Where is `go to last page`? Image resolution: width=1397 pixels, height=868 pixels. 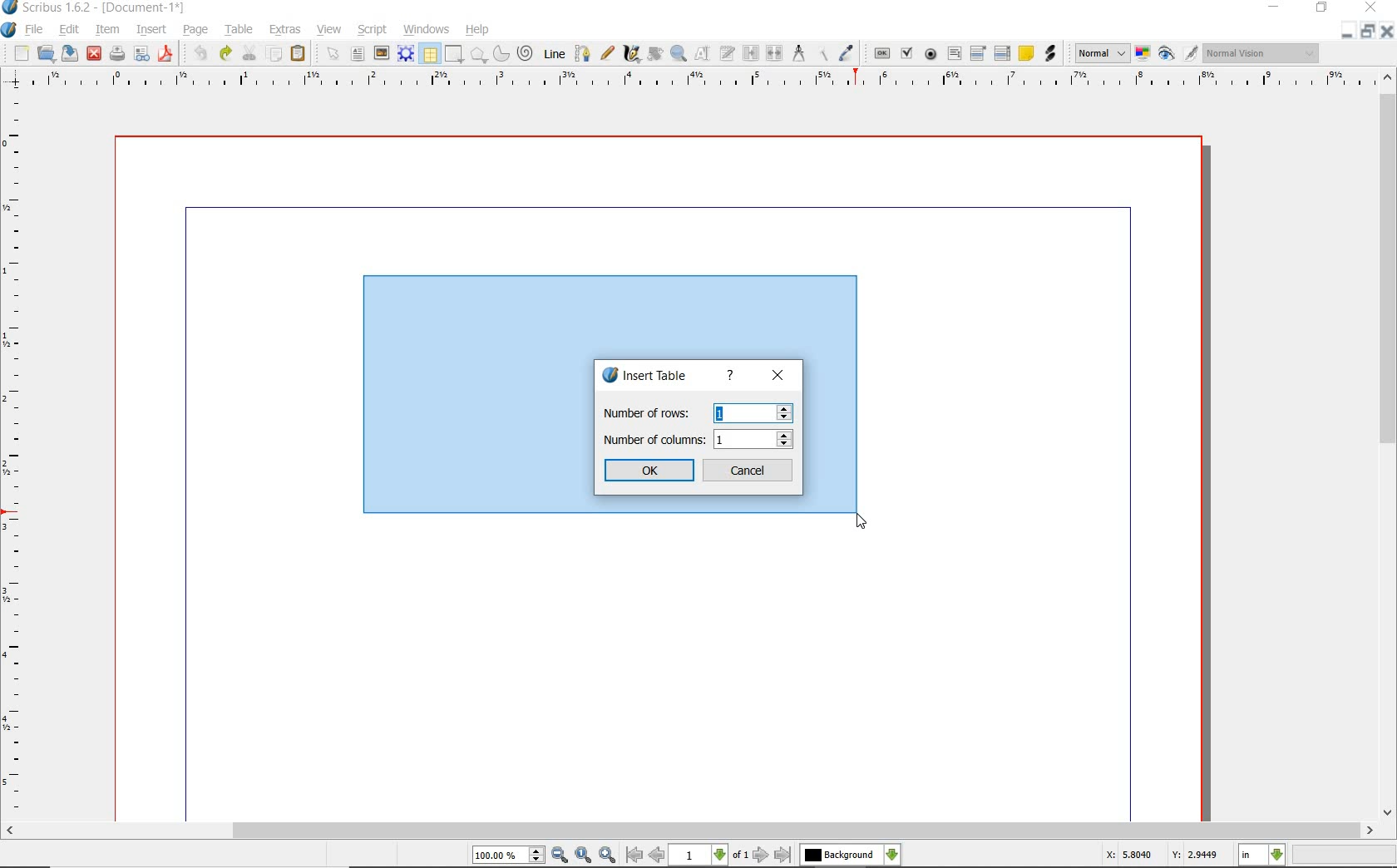 go to last page is located at coordinates (784, 855).